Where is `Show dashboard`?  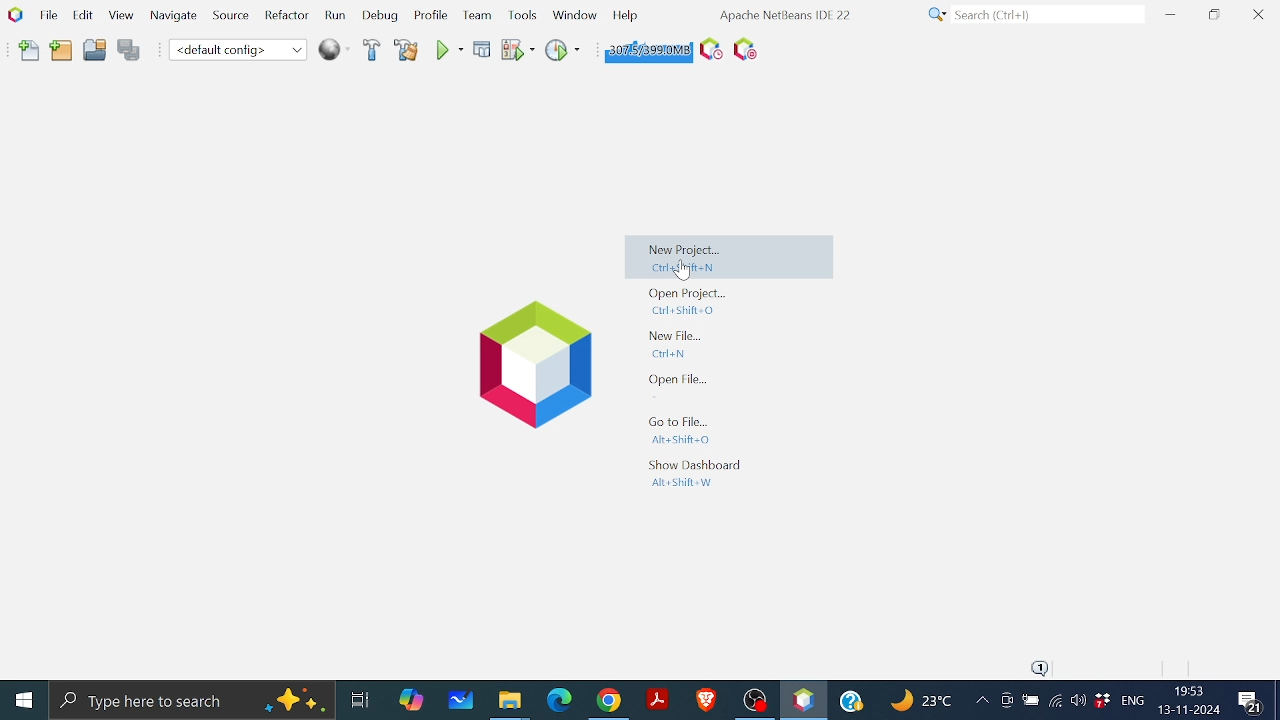 Show dashboard is located at coordinates (692, 473).